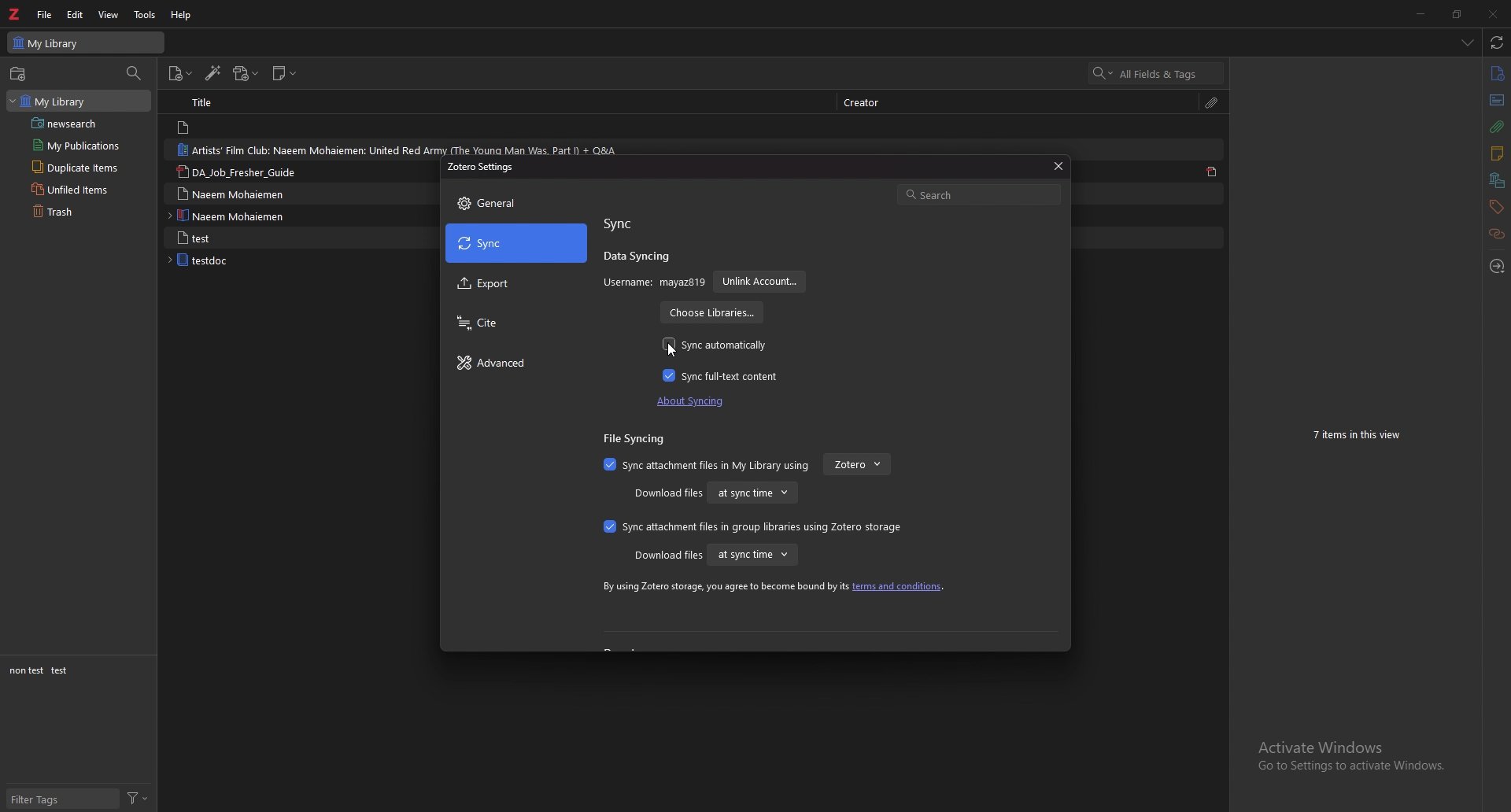 The width and height of the screenshot is (1511, 812). What do you see at coordinates (1157, 73) in the screenshot?
I see `search all fields & tags` at bounding box center [1157, 73].